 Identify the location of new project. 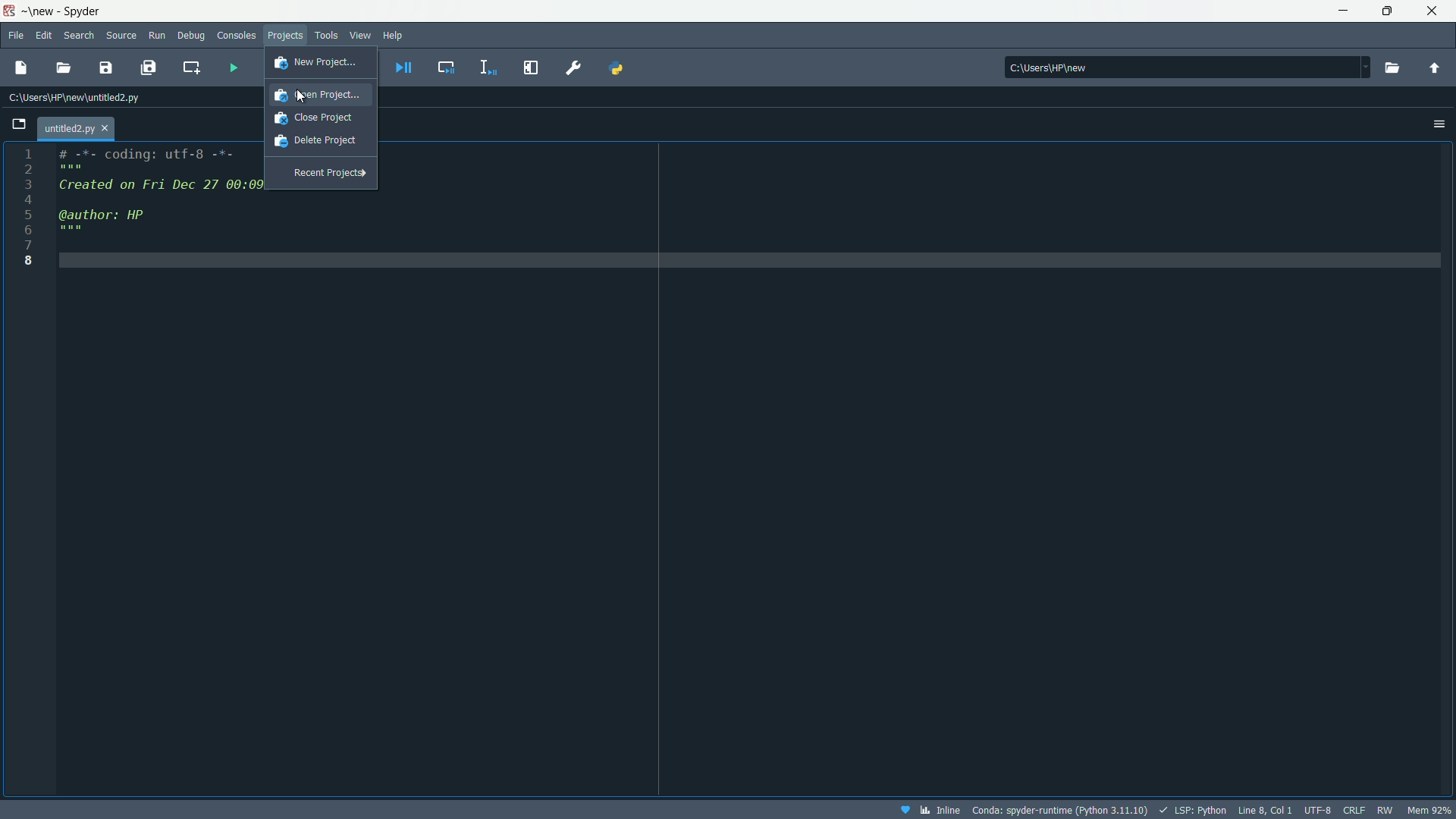
(314, 62).